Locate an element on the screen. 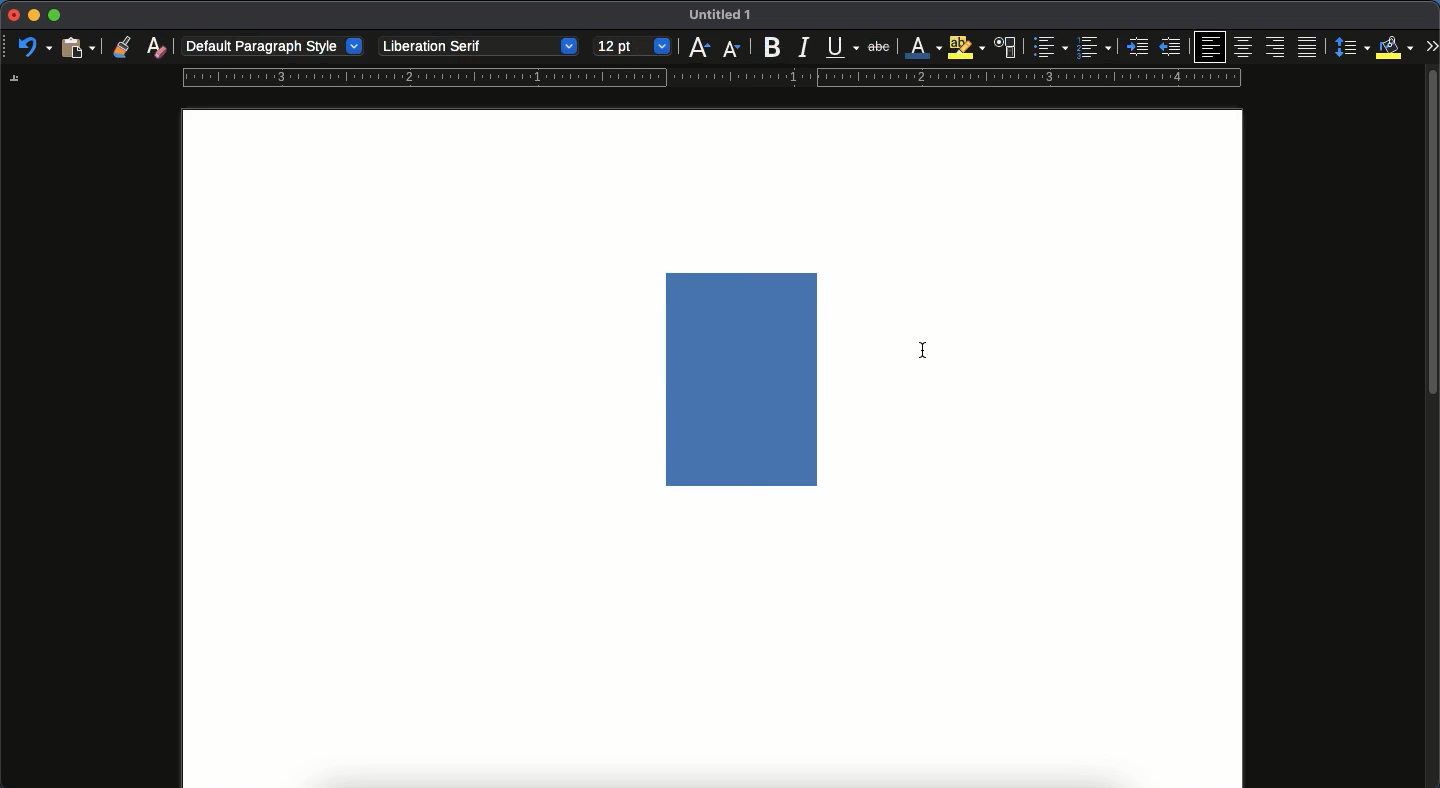 This screenshot has height=788, width=1440. expand is located at coordinates (1431, 45).